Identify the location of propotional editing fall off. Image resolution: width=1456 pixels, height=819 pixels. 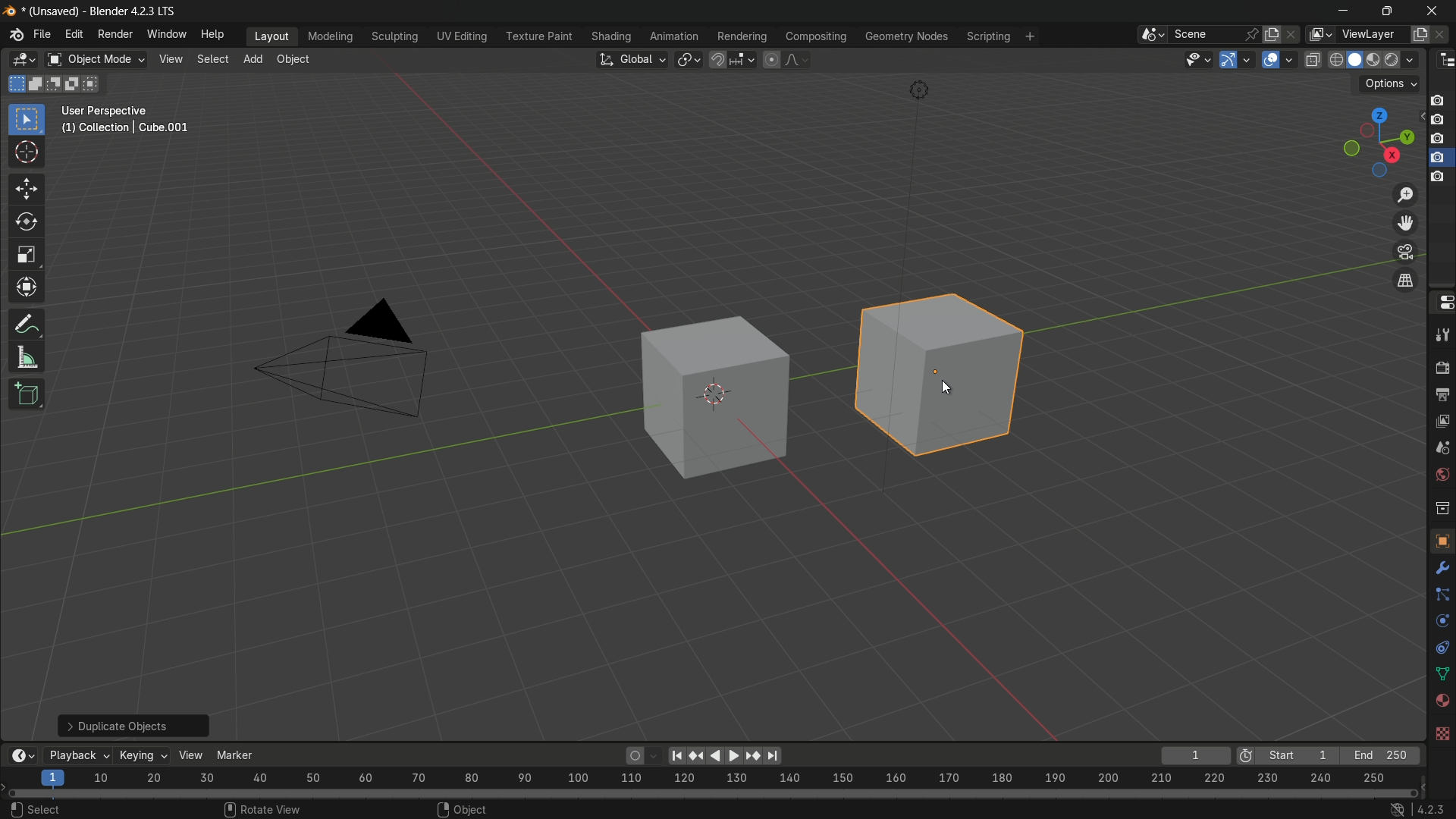
(798, 59).